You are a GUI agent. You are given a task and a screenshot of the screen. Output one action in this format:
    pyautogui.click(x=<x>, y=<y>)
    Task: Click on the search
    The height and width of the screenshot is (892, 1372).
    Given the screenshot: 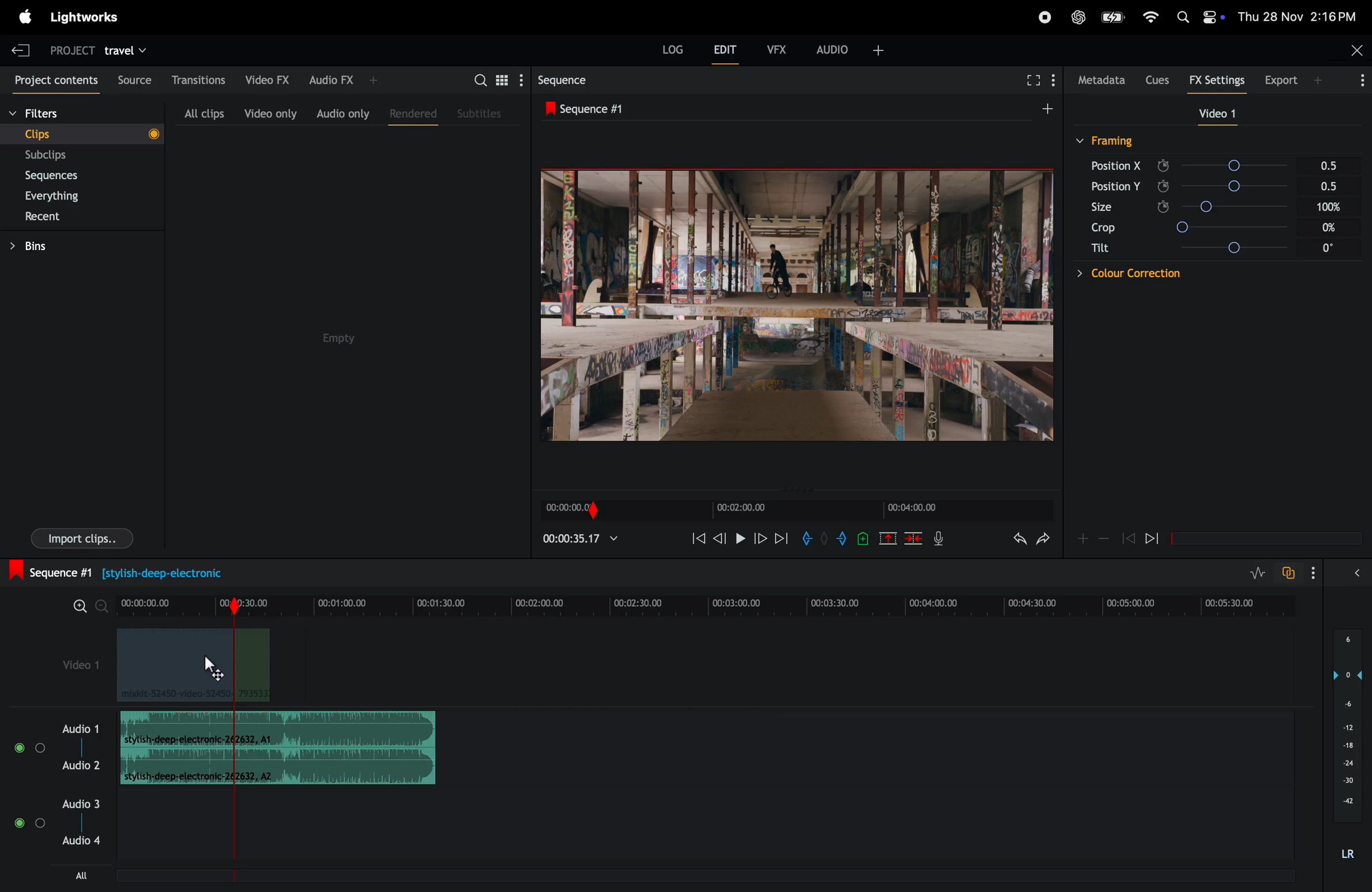 What is the action you would take?
    pyautogui.click(x=495, y=79)
    